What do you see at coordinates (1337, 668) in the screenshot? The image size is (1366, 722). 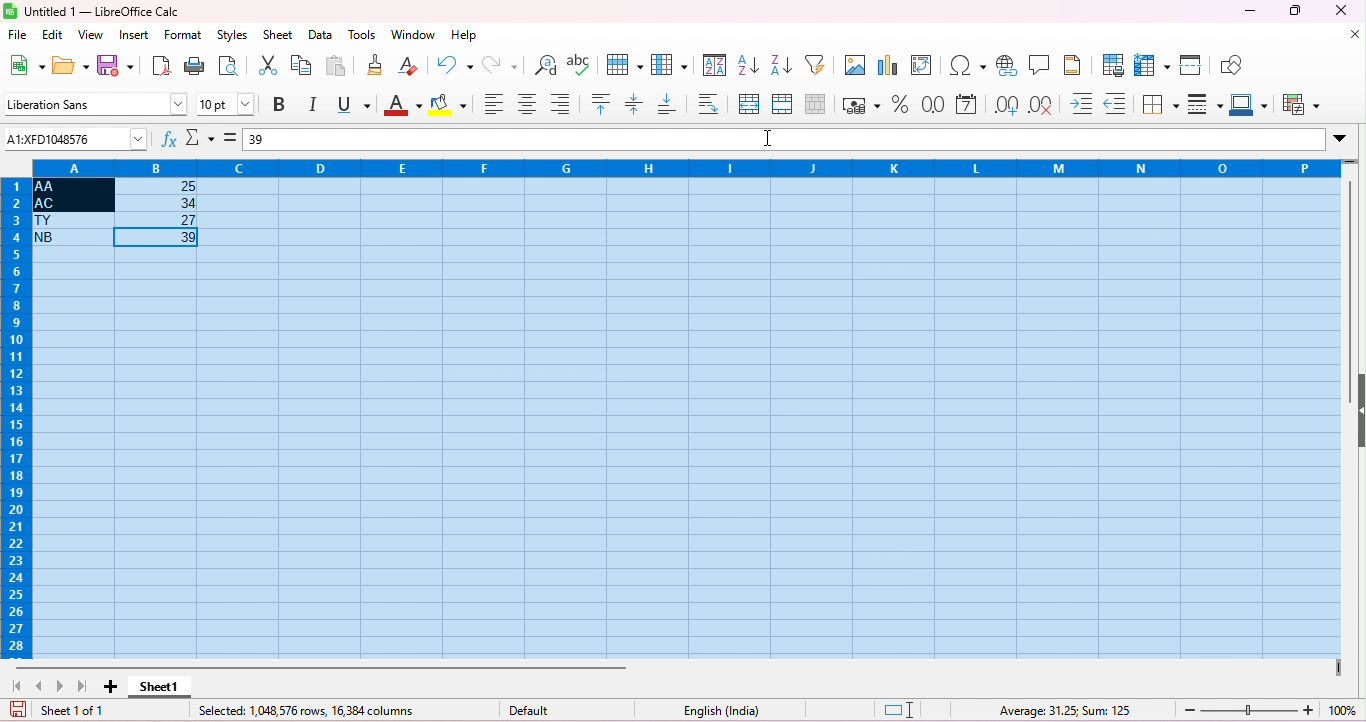 I see `drag to view next columns` at bounding box center [1337, 668].